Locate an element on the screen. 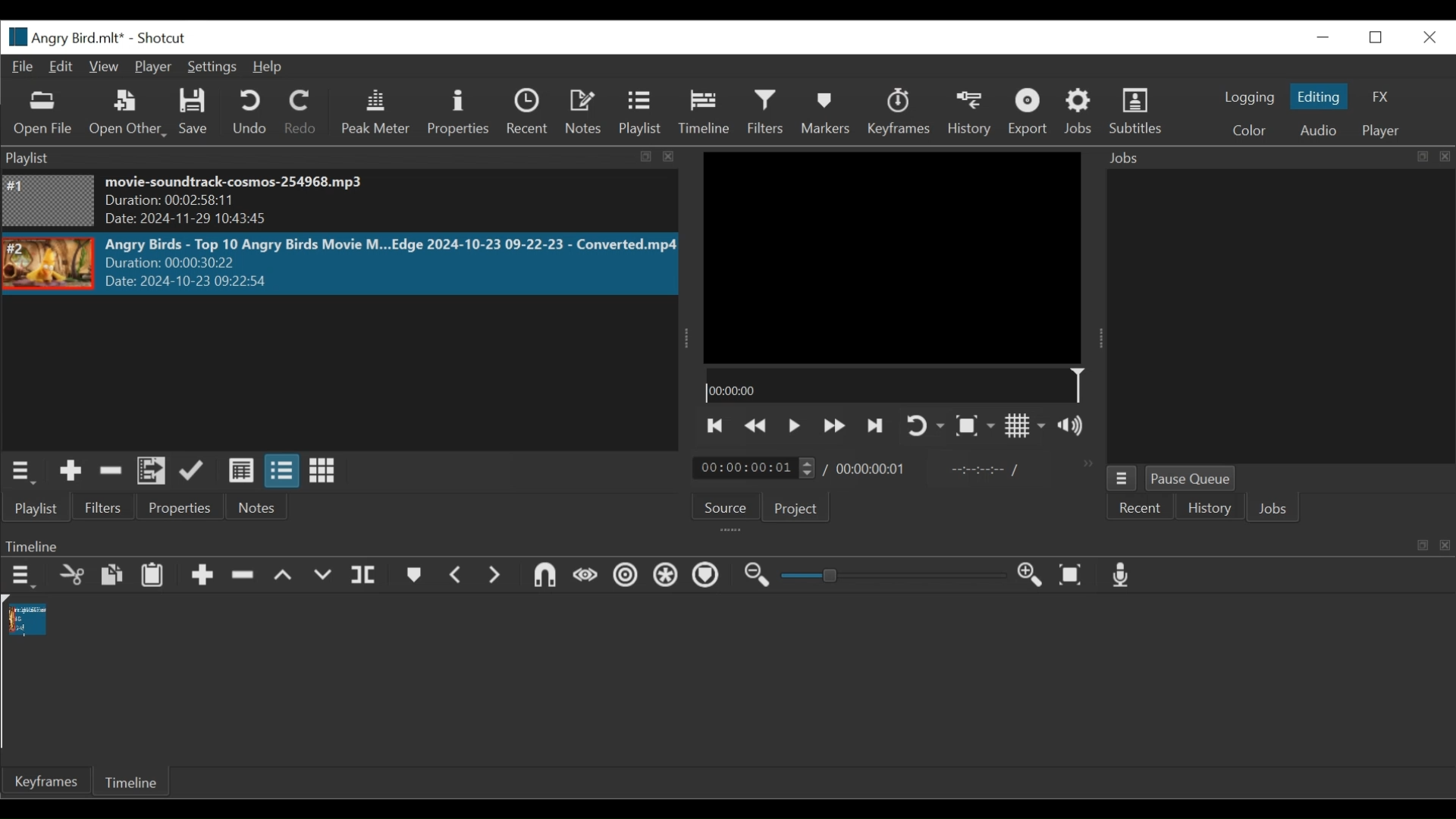 The width and height of the screenshot is (1456, 819). Copy is located at coordinates (115, 576).